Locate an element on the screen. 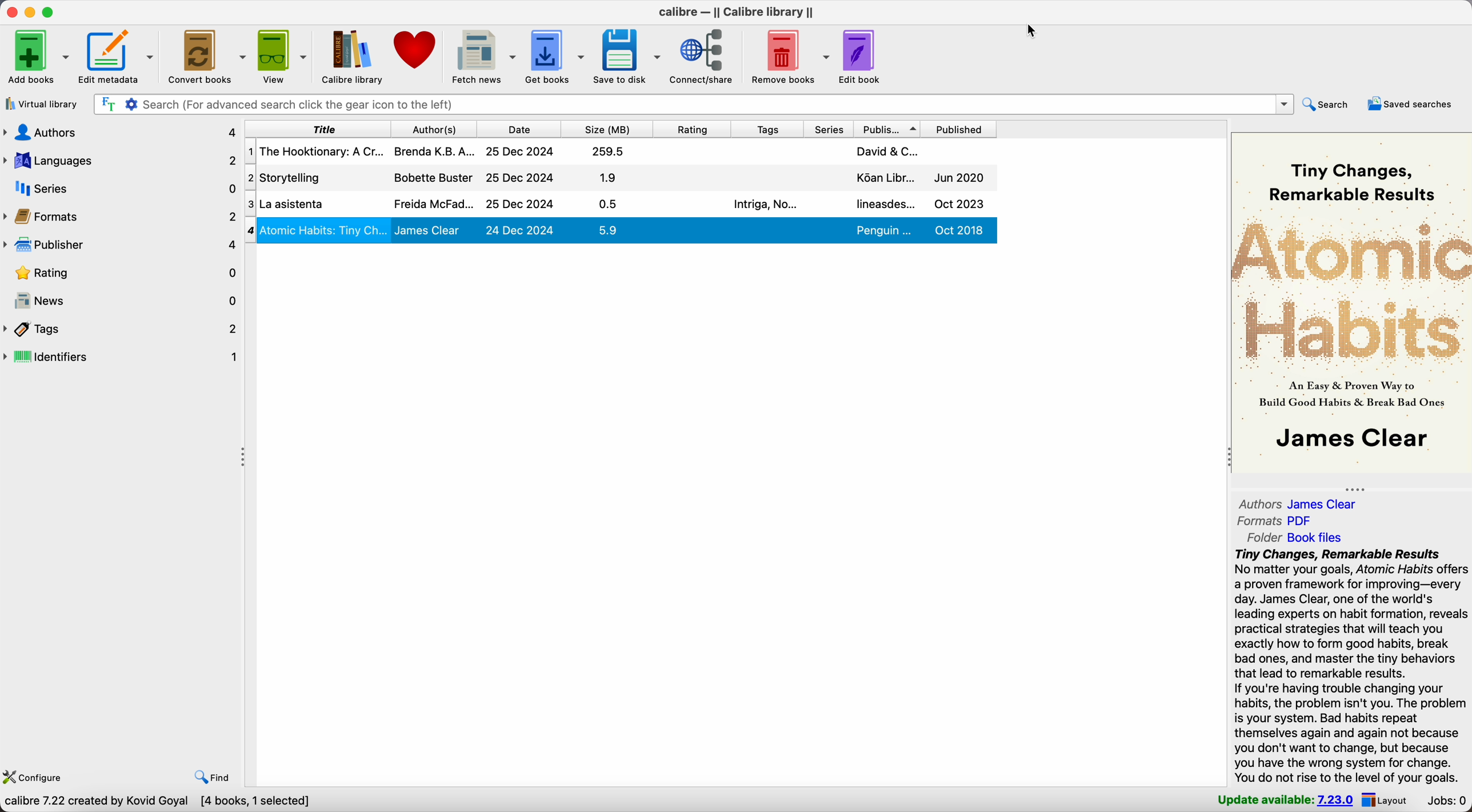 The image size is (1472, 812). search bar is located at coordinates (695, 105).